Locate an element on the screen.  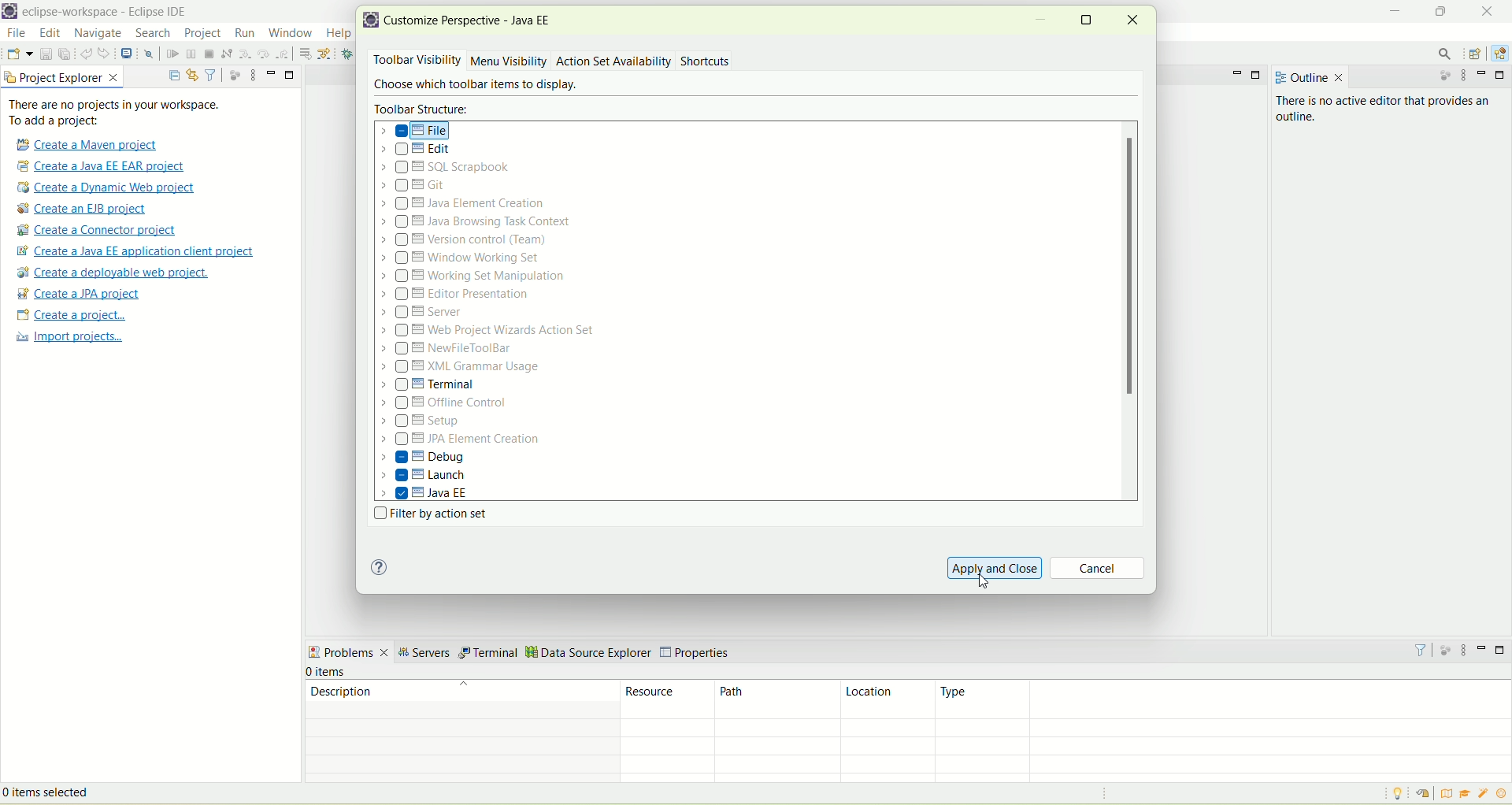
servers is located at coordinates (423, 655).